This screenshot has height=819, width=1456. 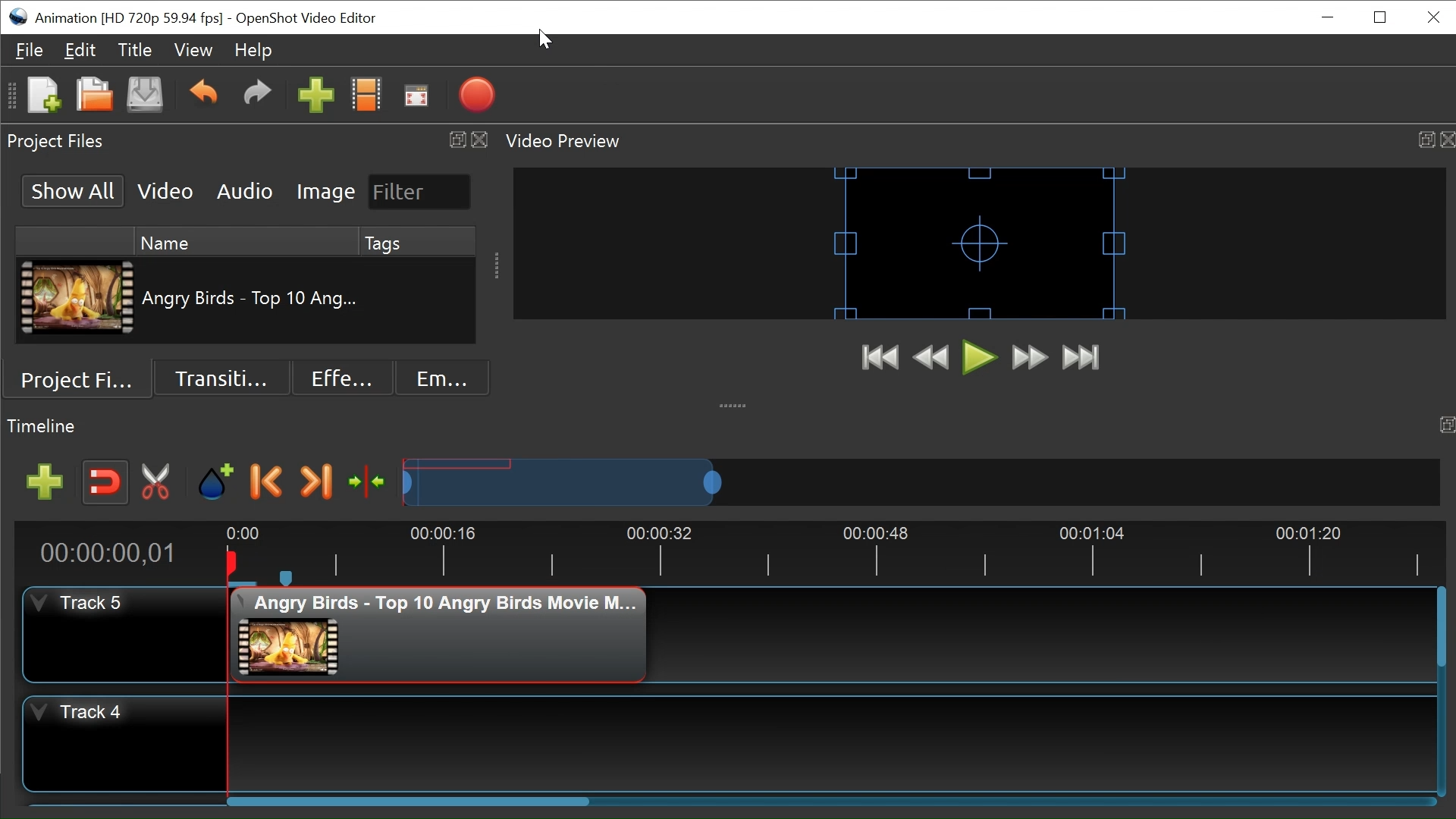 I want to click on Preview, so click(x=934, y=359).